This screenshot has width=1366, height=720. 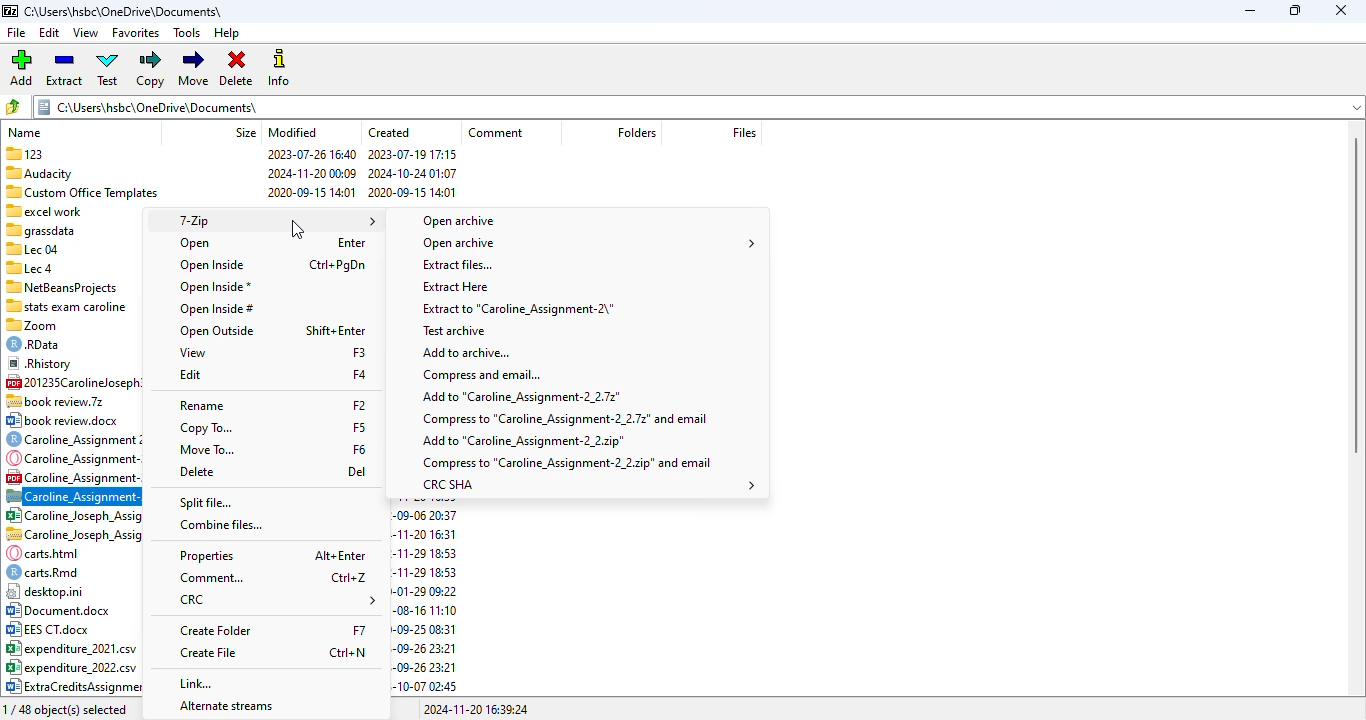 What do you see at coordinates (359, 449) in the screenshot?
I see `shortcut for move to` at bounding box center [359, 449].